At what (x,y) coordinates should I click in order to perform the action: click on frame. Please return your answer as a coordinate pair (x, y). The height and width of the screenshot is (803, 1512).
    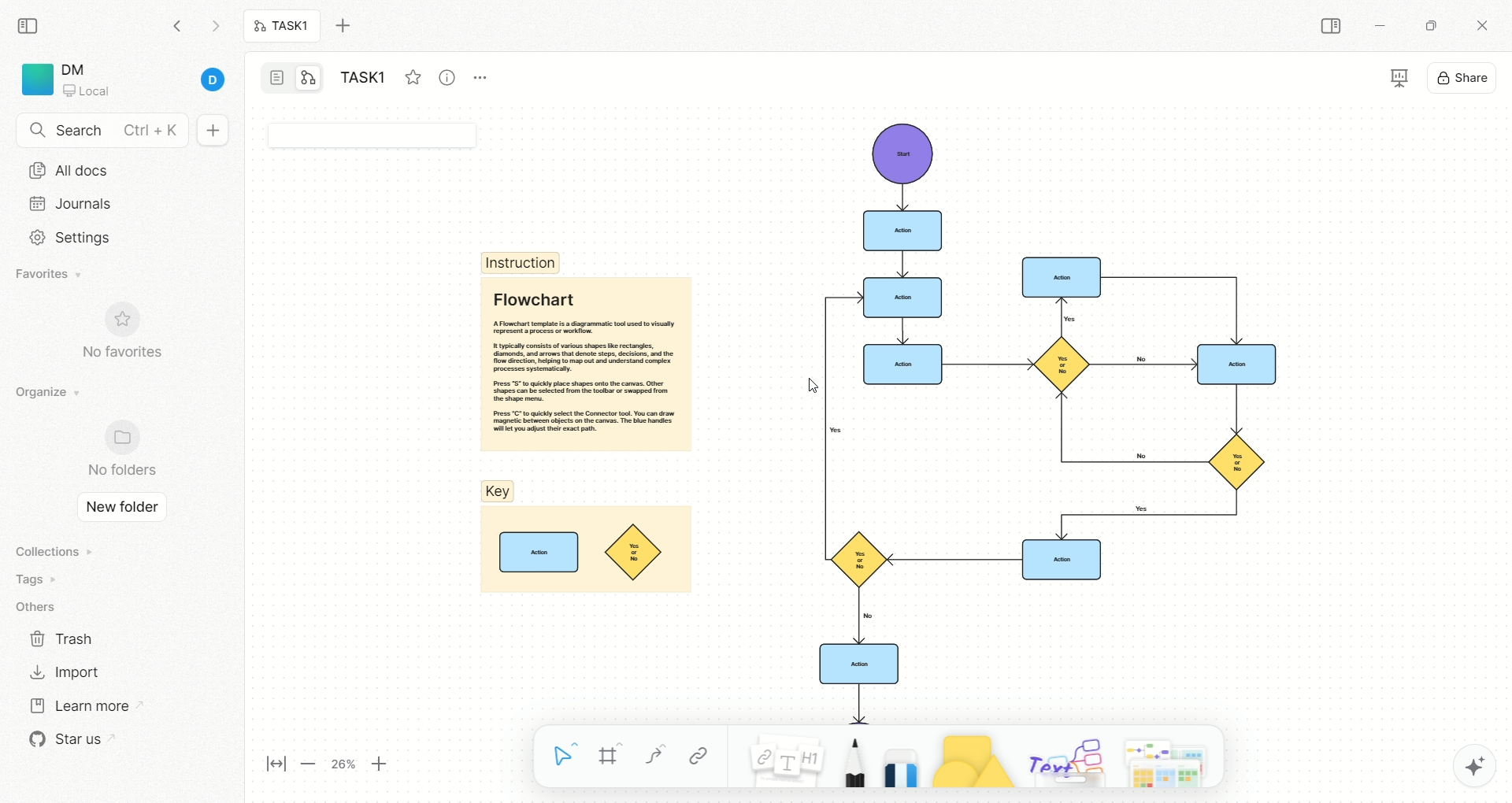
    Looking at the image, I should click on (617, 758).